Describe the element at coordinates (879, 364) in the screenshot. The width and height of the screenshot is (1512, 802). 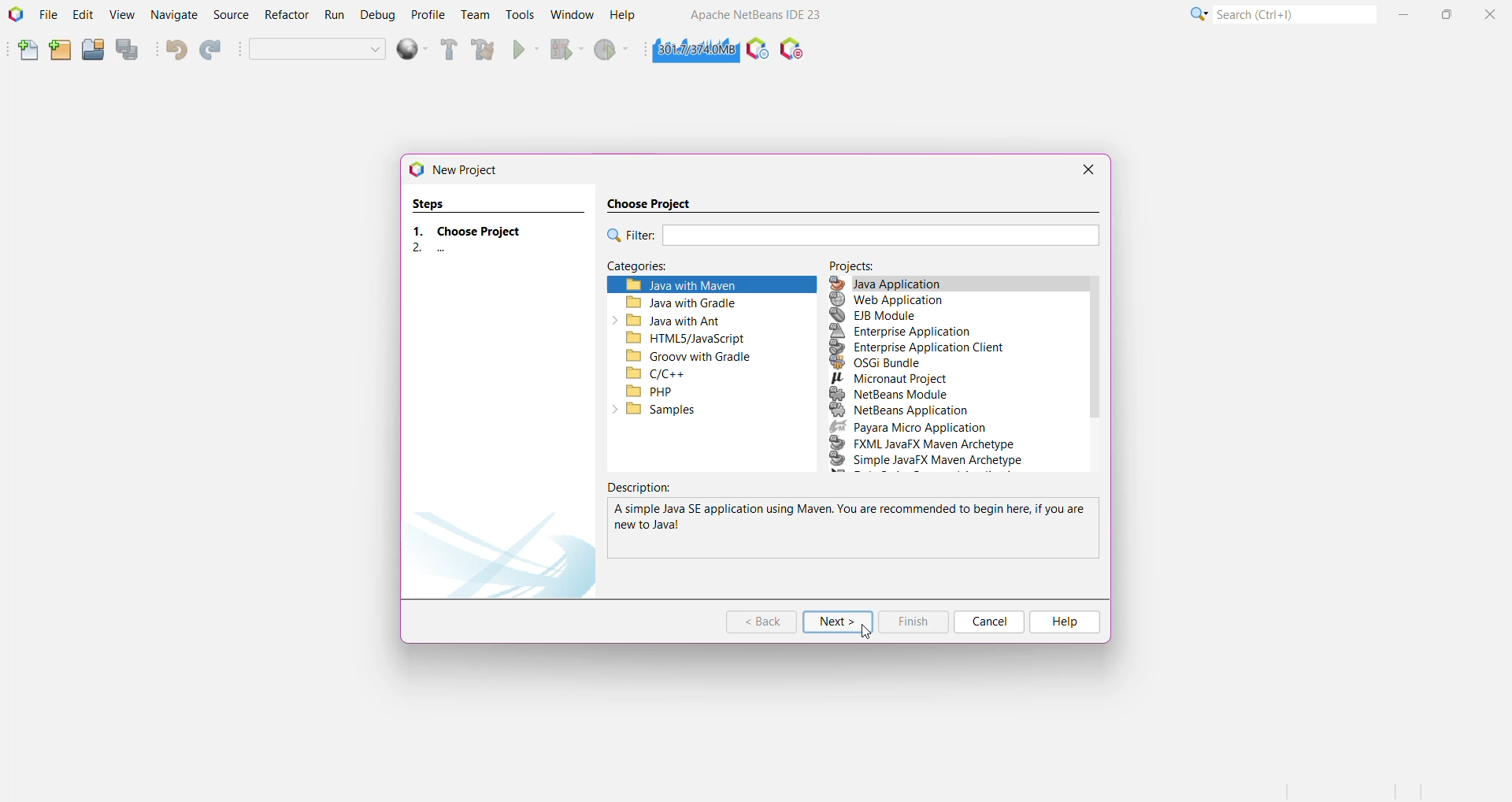
I see `OSGI Bundle` at that location.